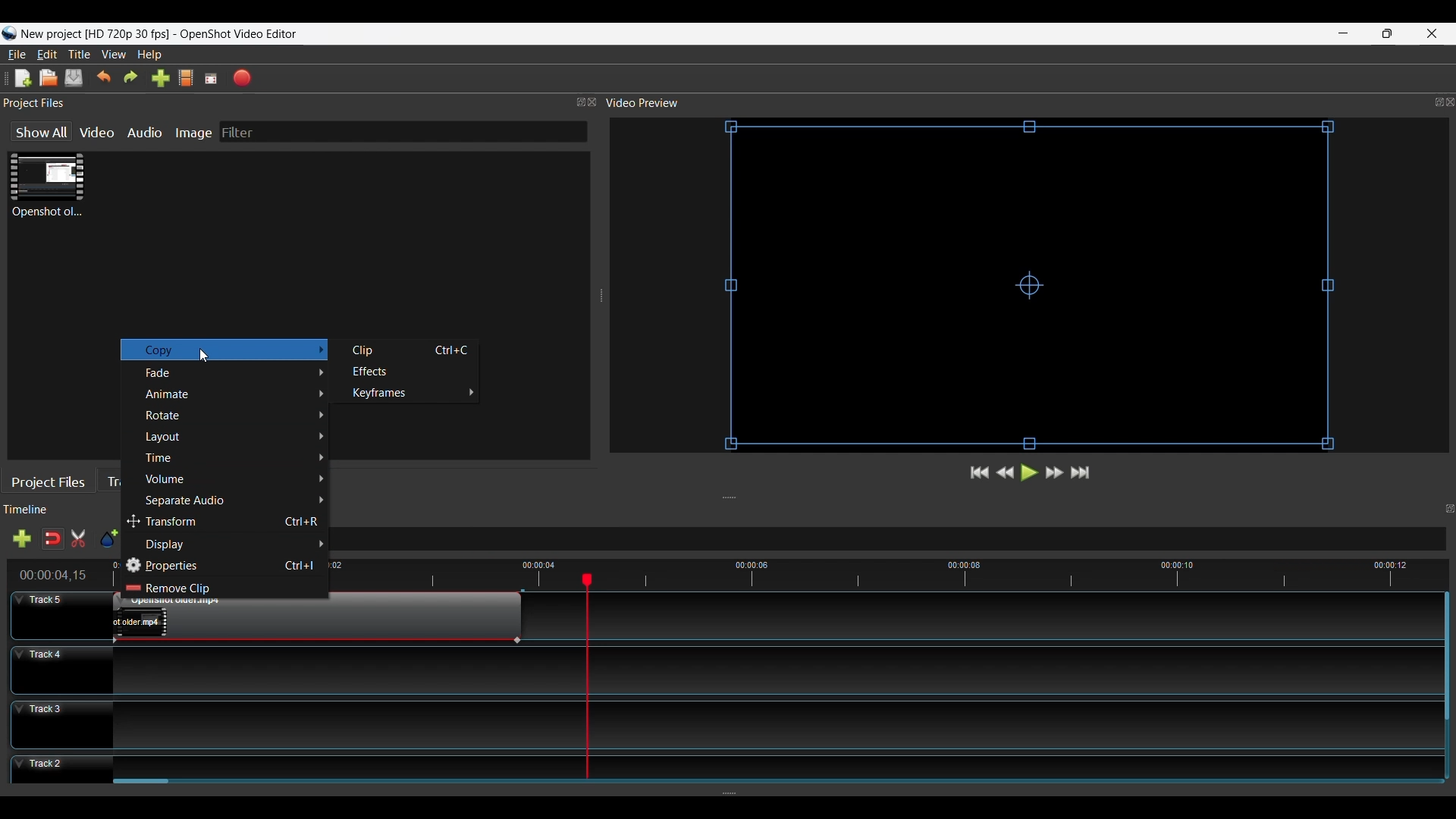 This screenshot has width=1456, height=819. What do you see at coordinates (119, 480) in the screenshot?
I see `Transitions` at bounding box center [119, 480].